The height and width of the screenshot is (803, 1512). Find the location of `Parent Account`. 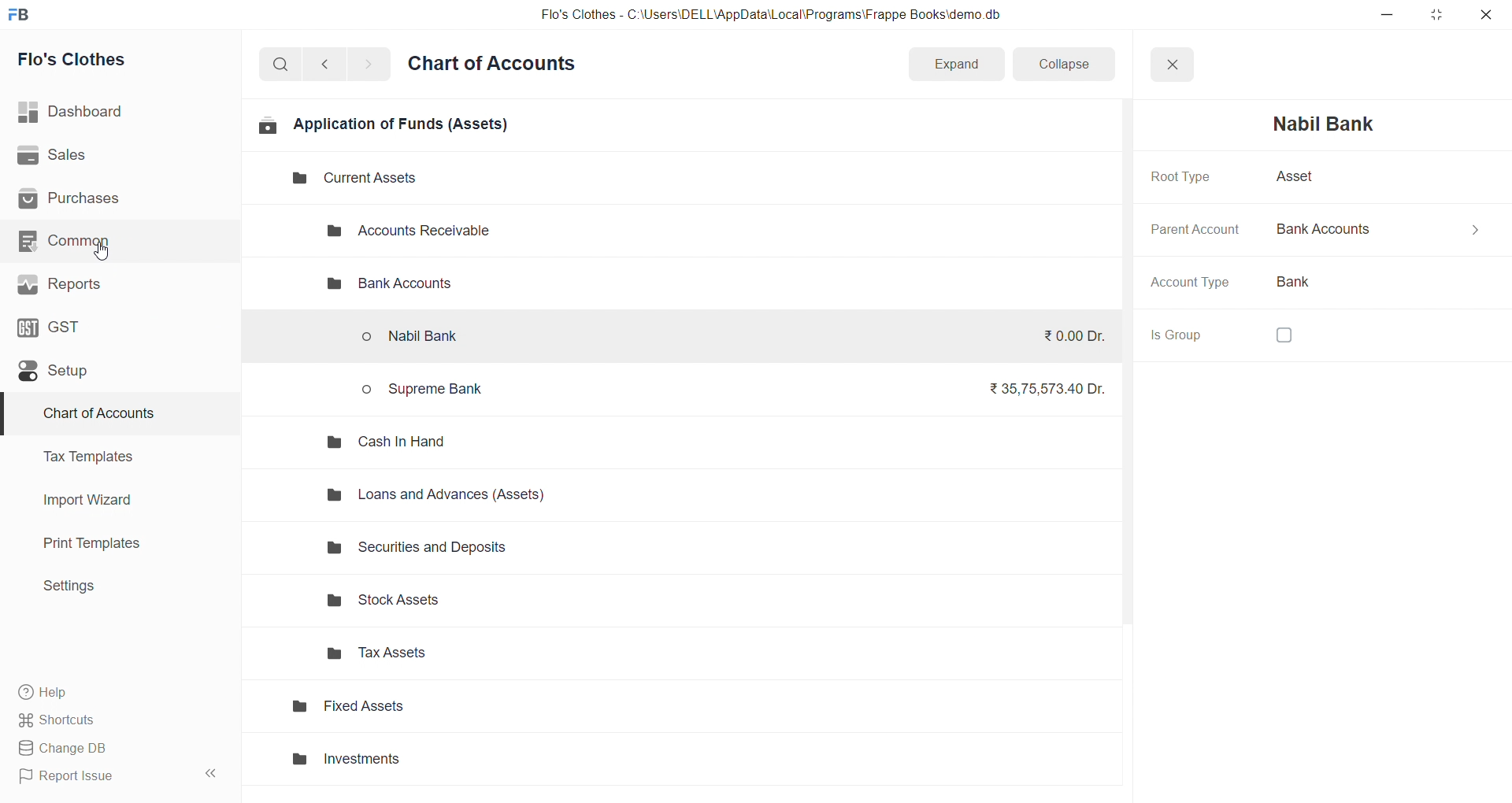

Parent Account is located at coordinates (1195, 230).